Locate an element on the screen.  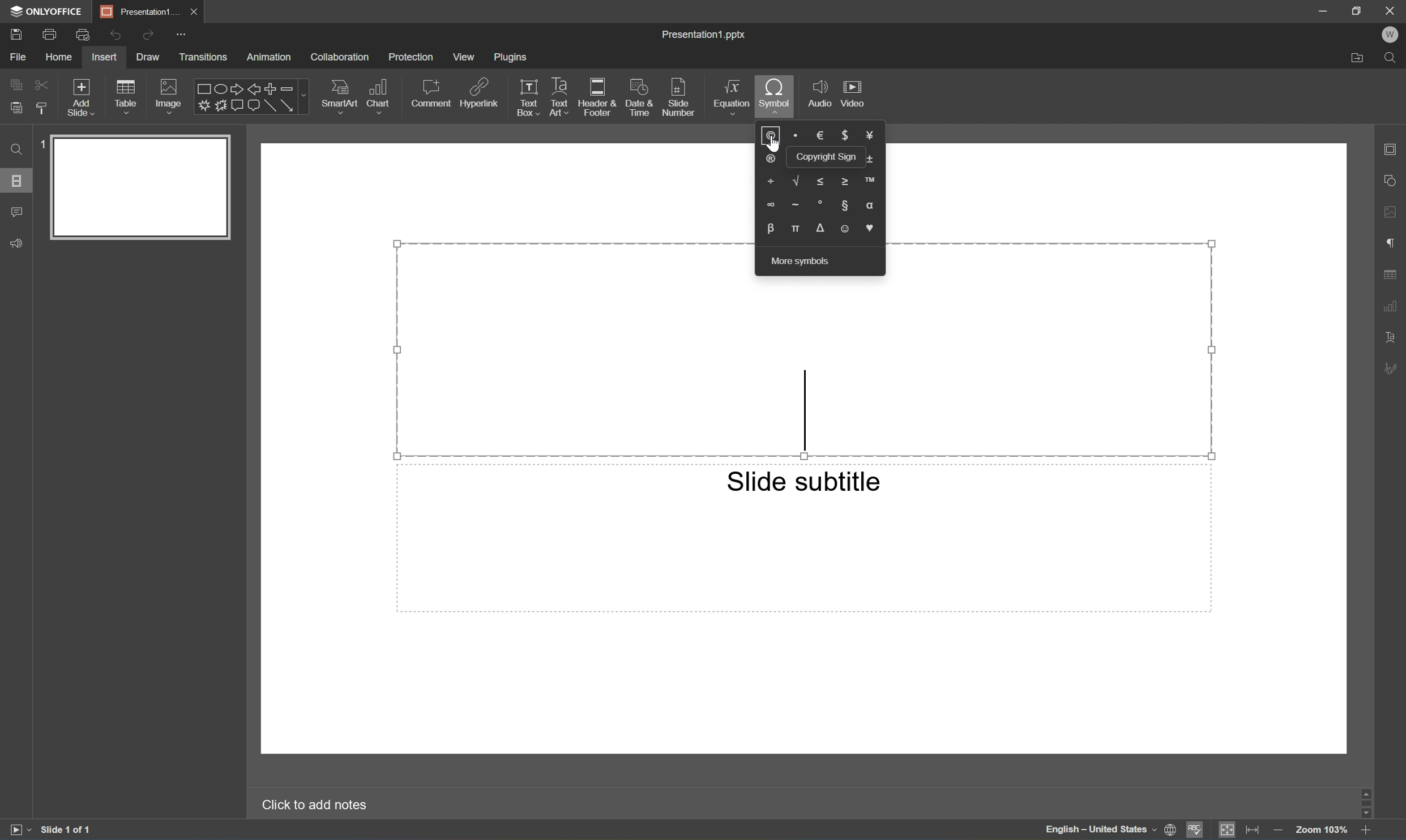
mouse pointer is located at coordinates (775, 147).